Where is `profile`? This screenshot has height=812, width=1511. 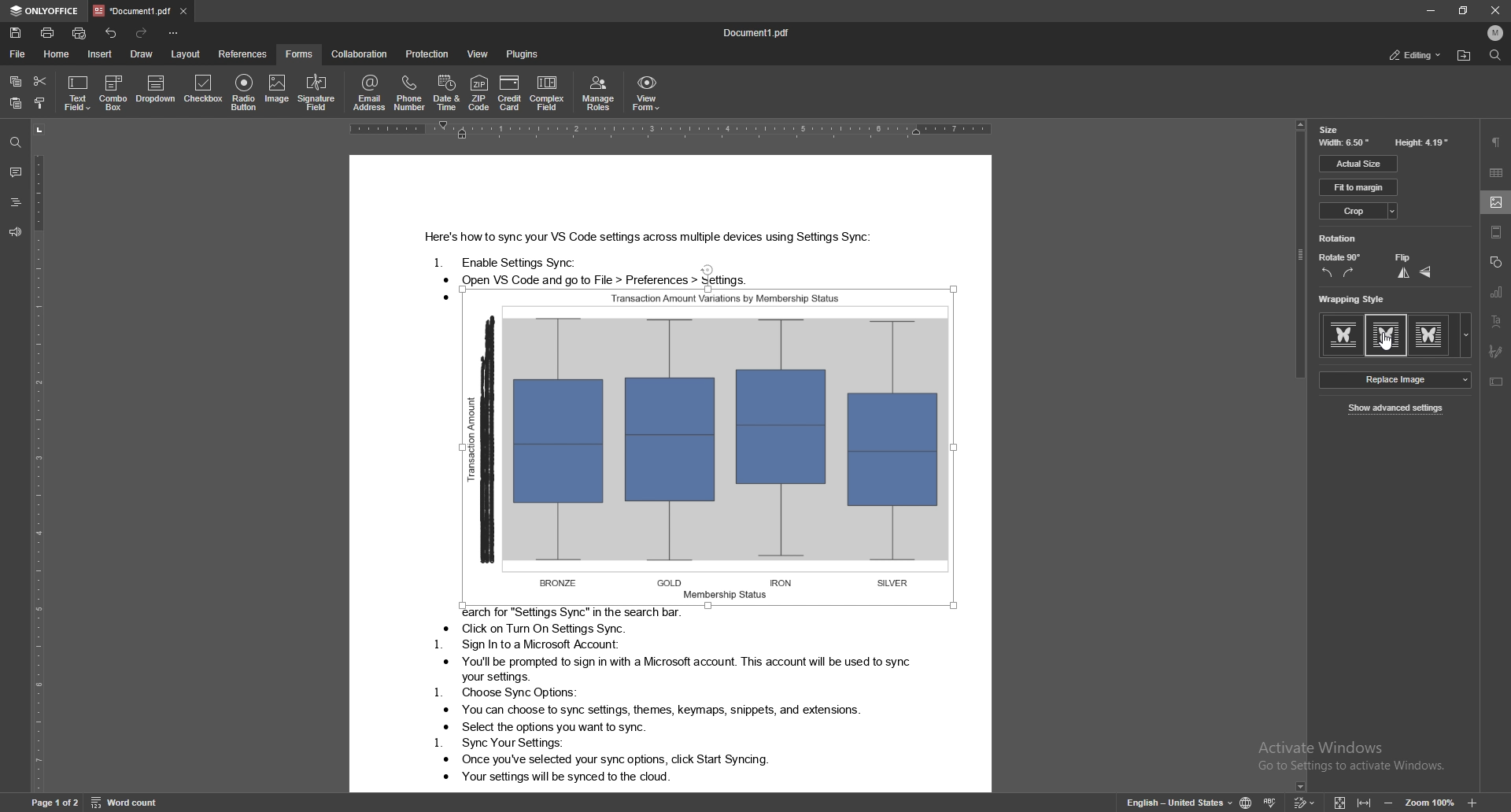 profile is located at coordinates (1495, 32).